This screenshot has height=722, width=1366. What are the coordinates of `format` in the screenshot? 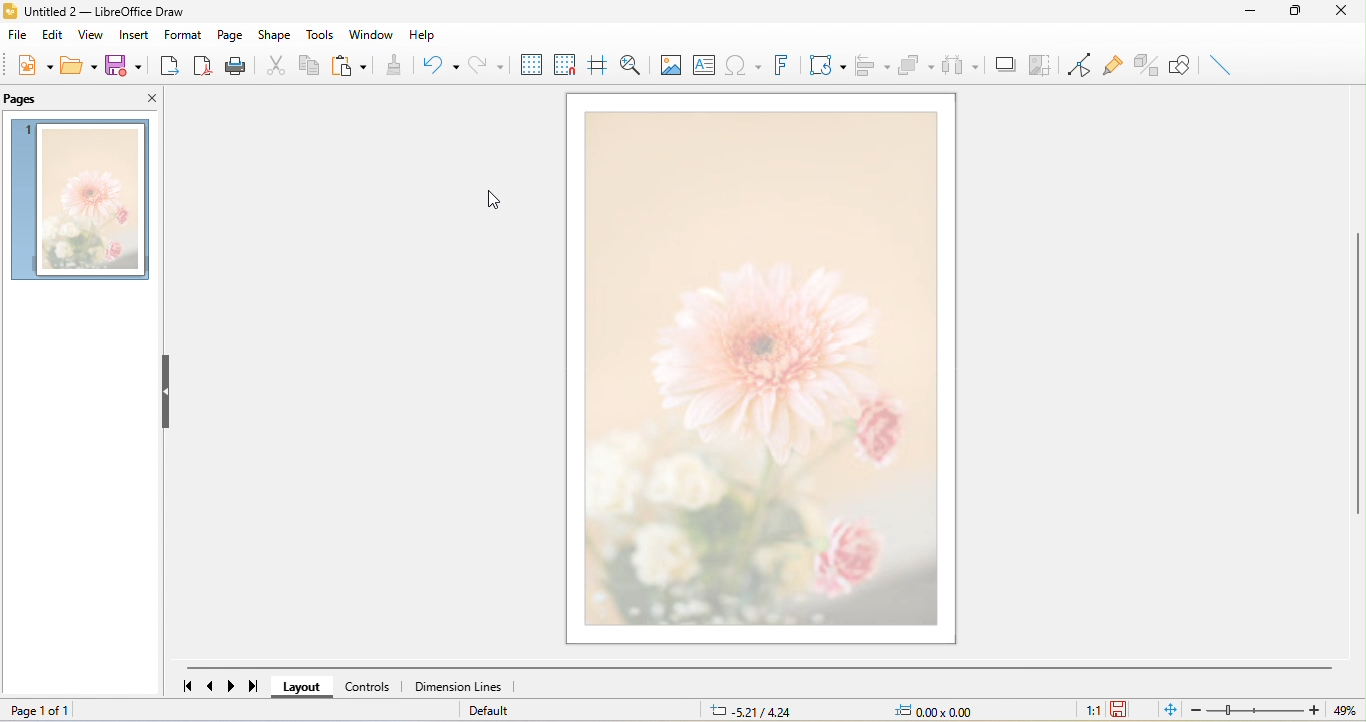 It's located at (184, 34).